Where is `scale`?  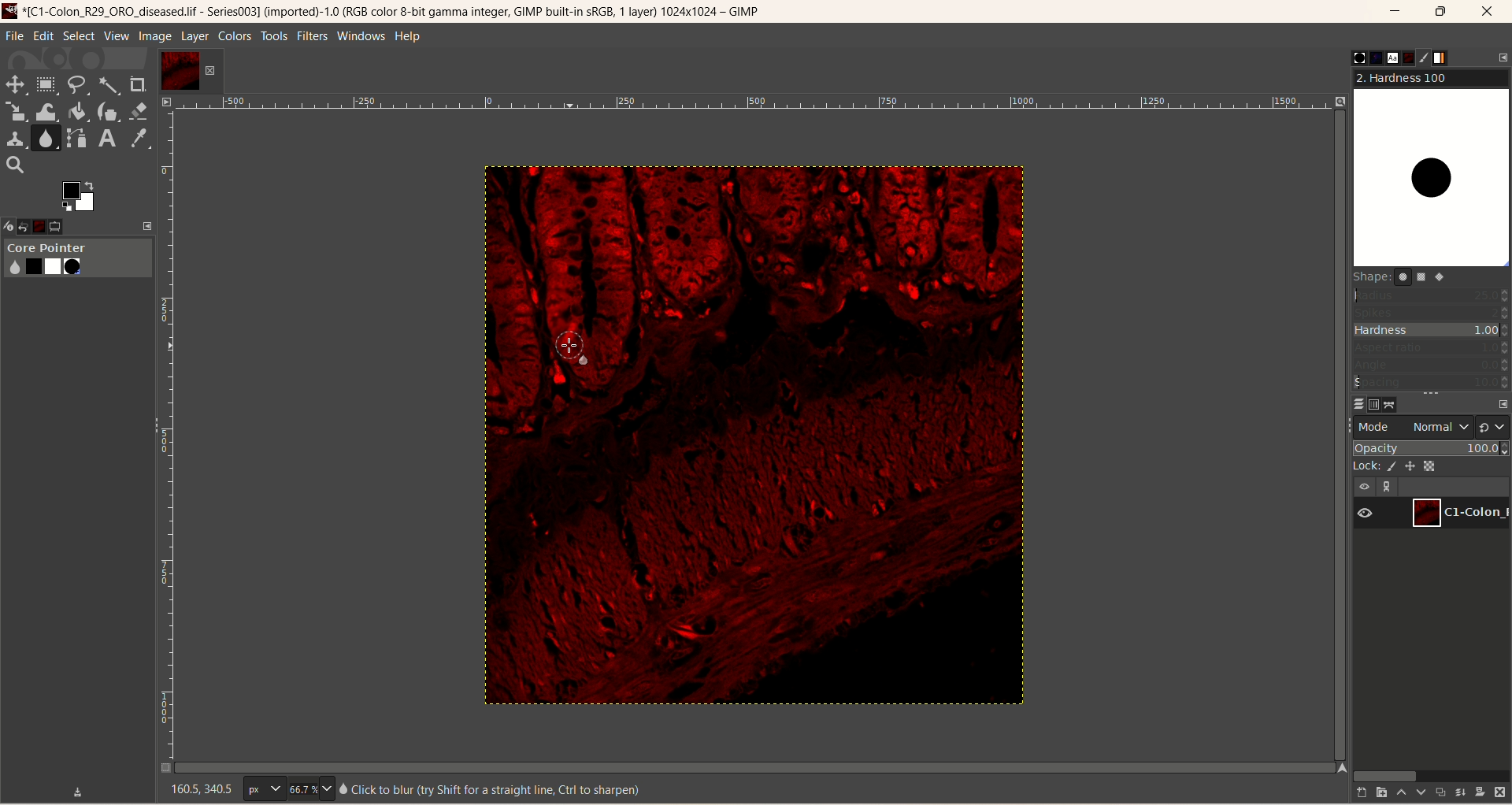
scale is located at coordinates (16, 112).